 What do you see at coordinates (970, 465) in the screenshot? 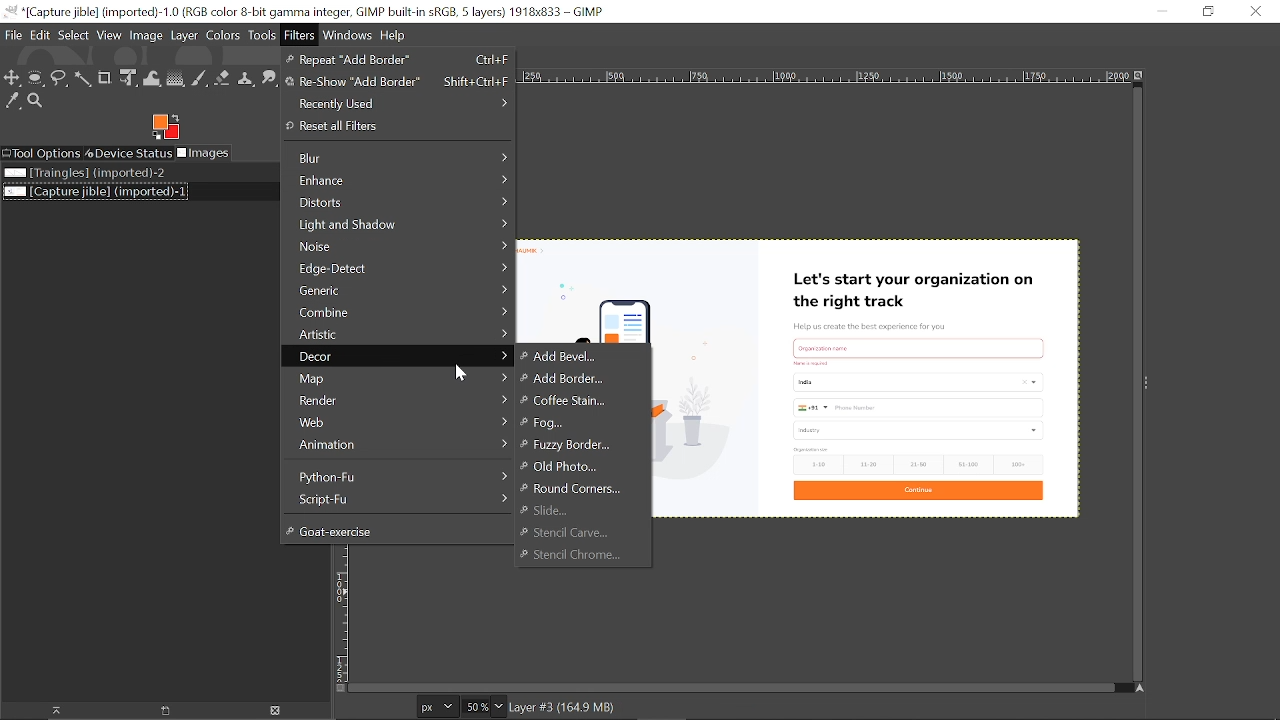
I see `51-100` at bounding box center [970, 465].